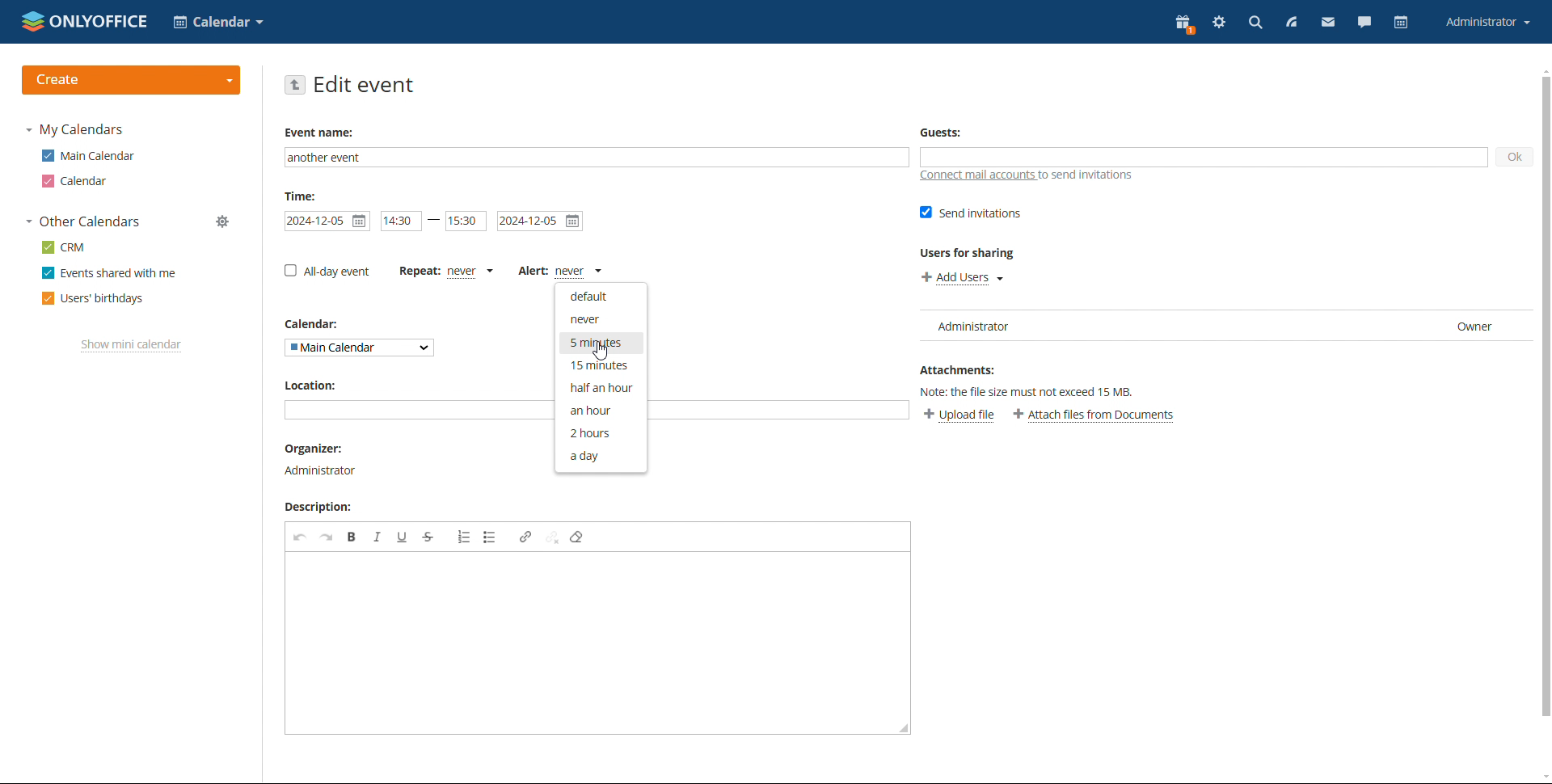 This screenshot has height=784, width=1552. Describe the element at coordinates (420, 410) in the screenshot. I see `add location` at that location.